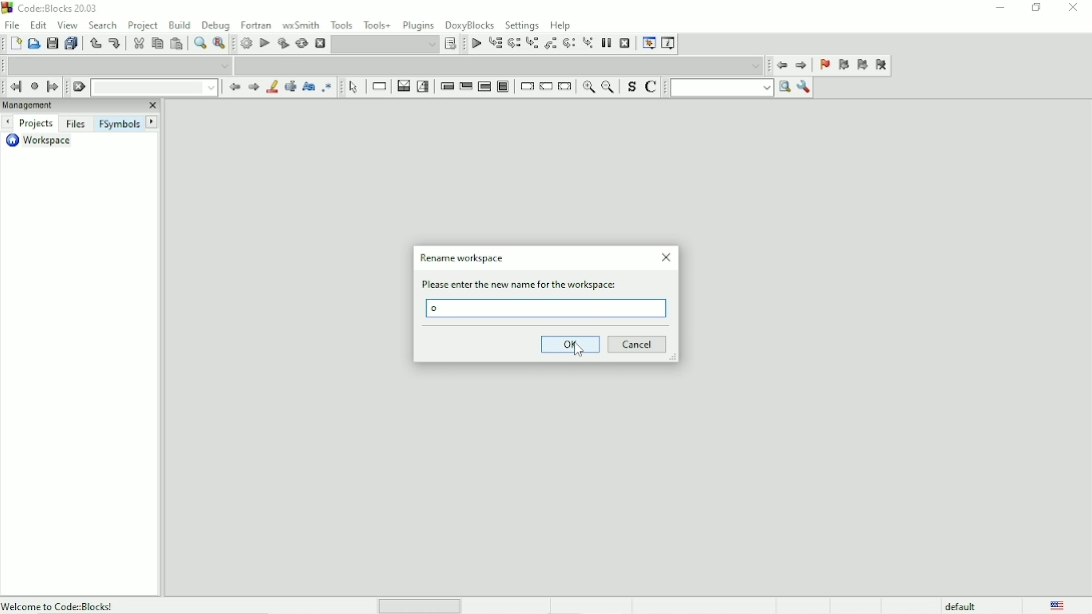  What do you see at coordinates (402, 86) in the screenshot?
I see `Decision` at bounding box center [402, 86].